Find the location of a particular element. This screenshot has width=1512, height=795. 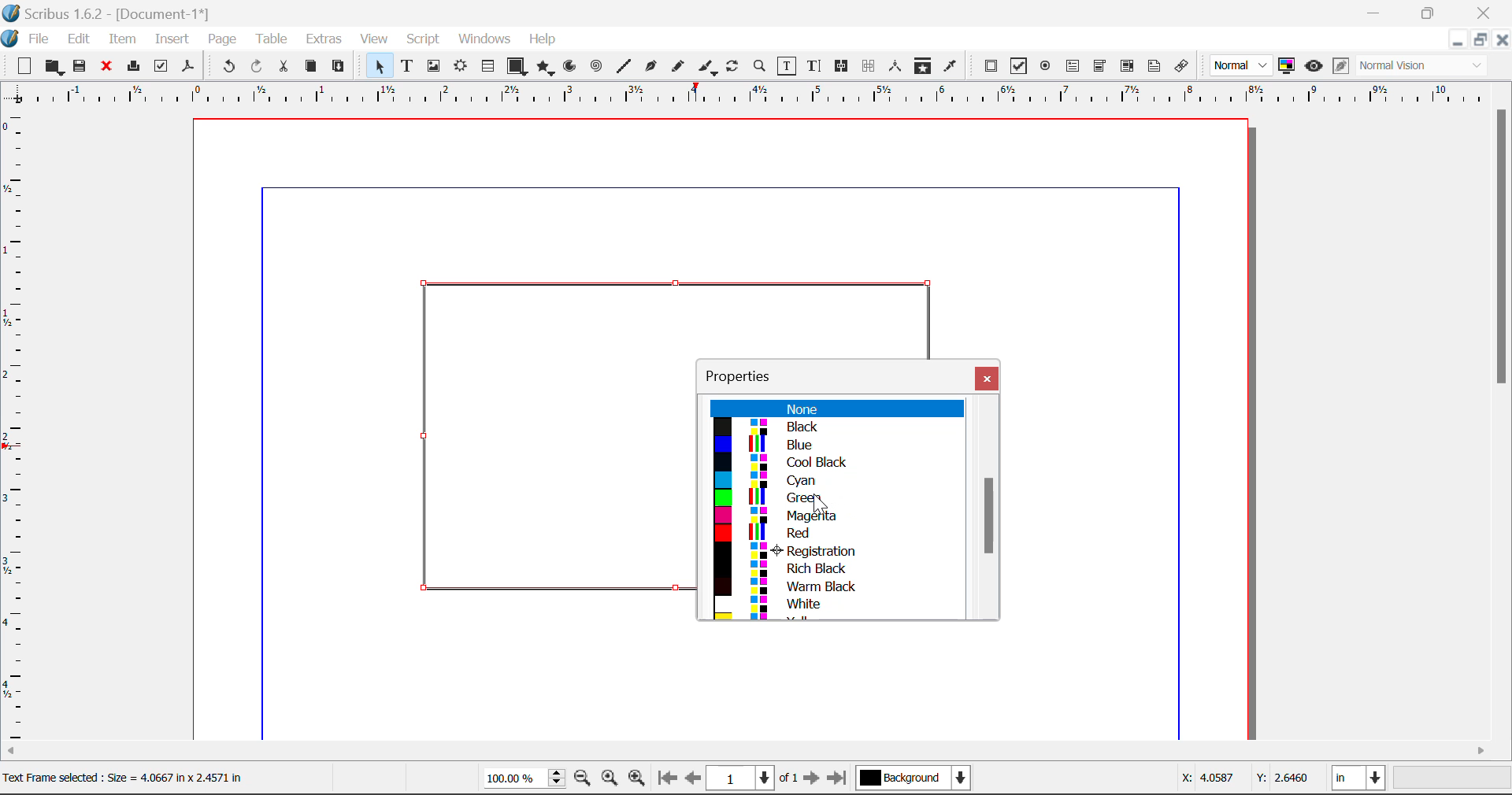

Edit is located at coordinates (79, 38).